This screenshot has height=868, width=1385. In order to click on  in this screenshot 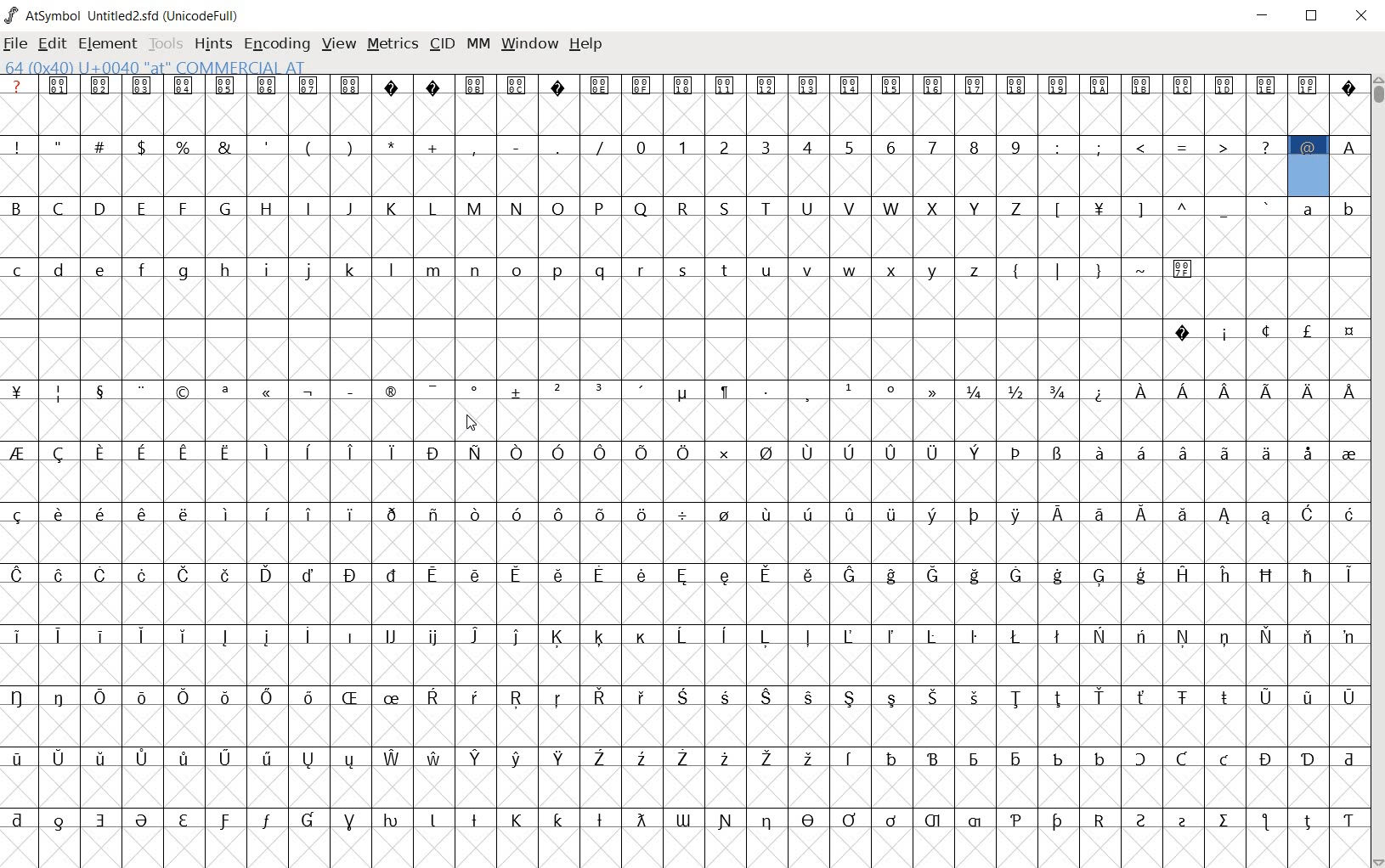, I will do `click(683, 511)`.